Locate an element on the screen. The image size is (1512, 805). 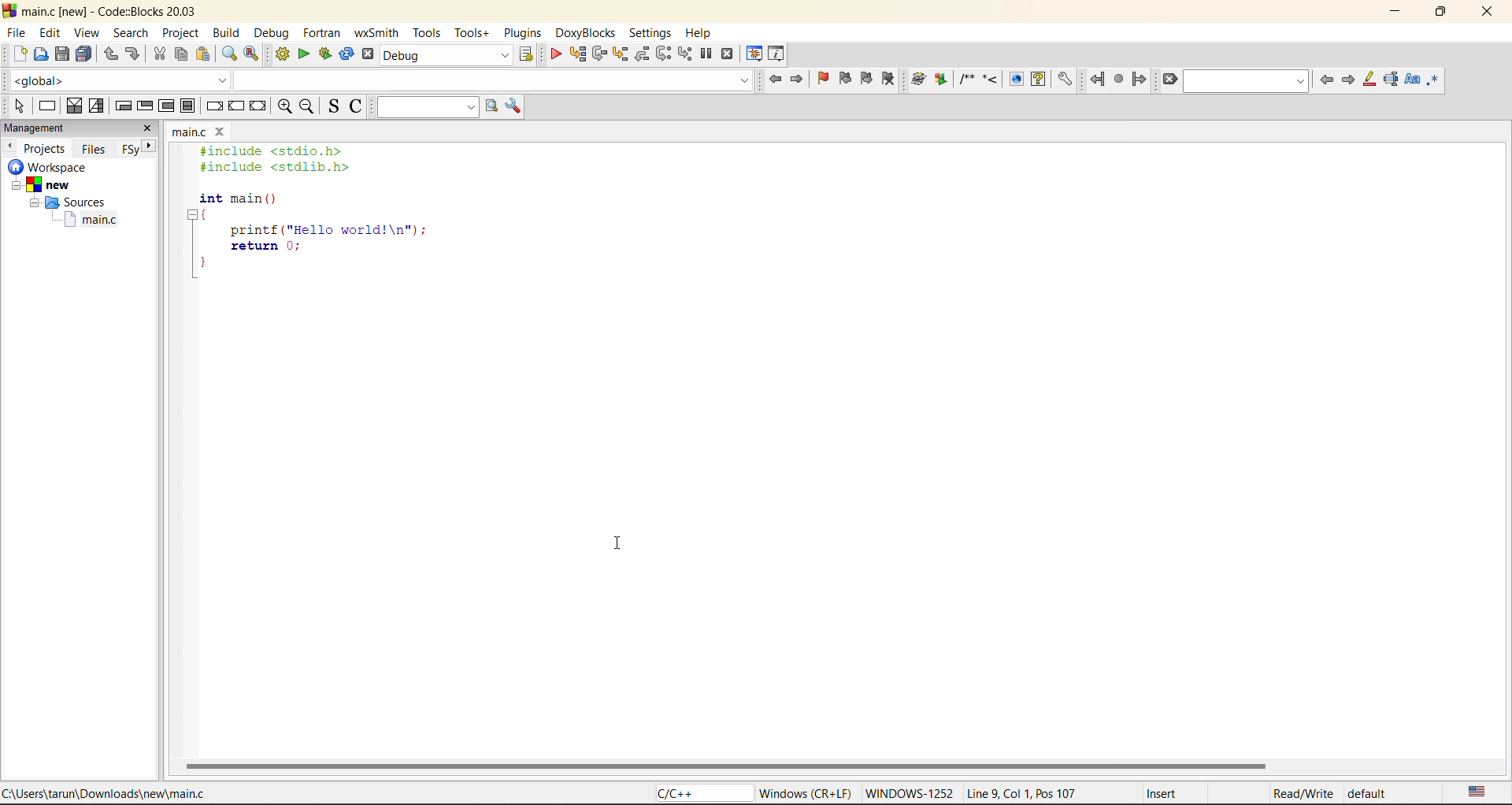
main.c is located at coordinates (187, 132).